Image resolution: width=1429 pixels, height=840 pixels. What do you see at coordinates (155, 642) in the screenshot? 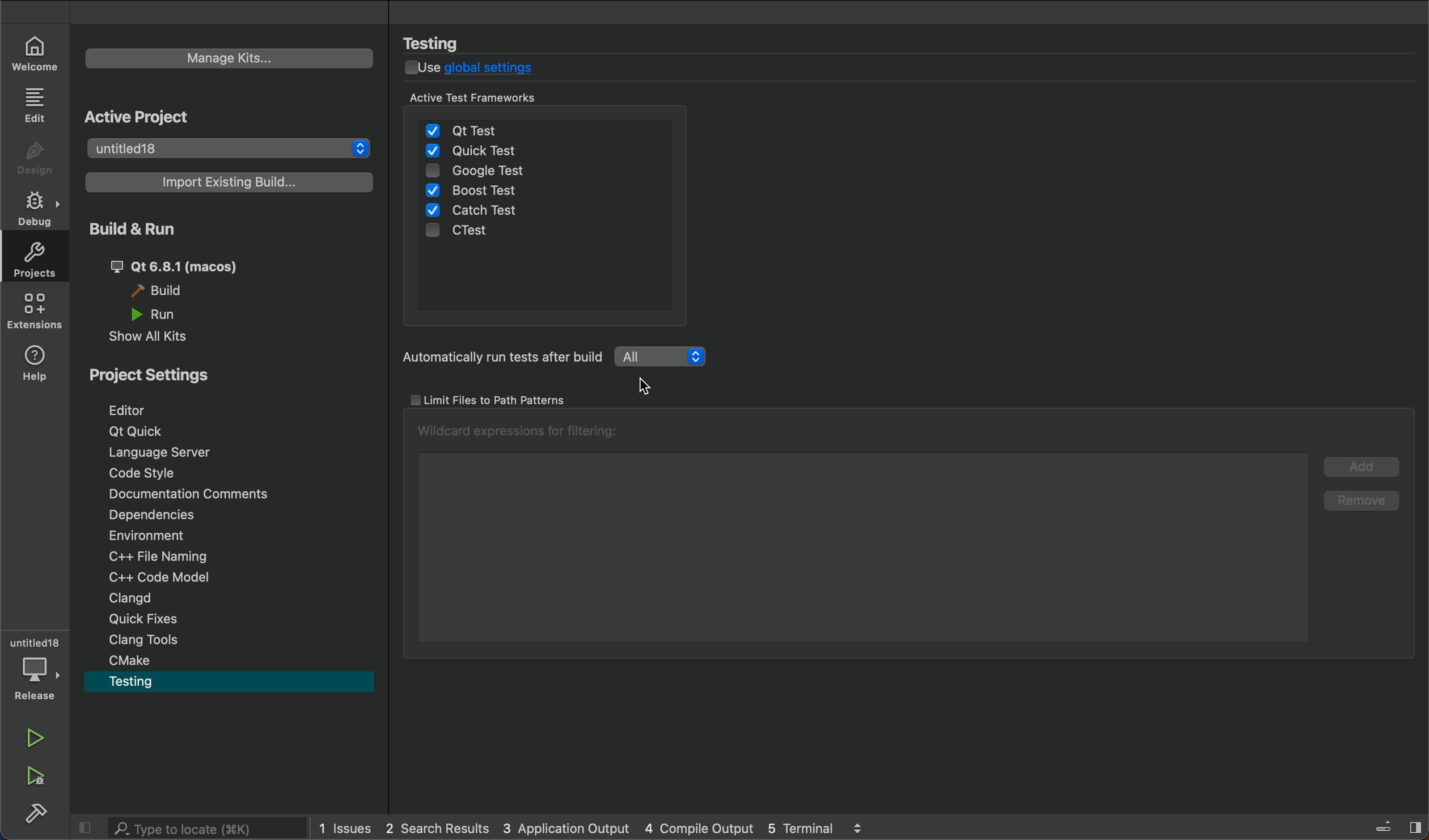
I see `clang tools` at bounding box center [155, 642].